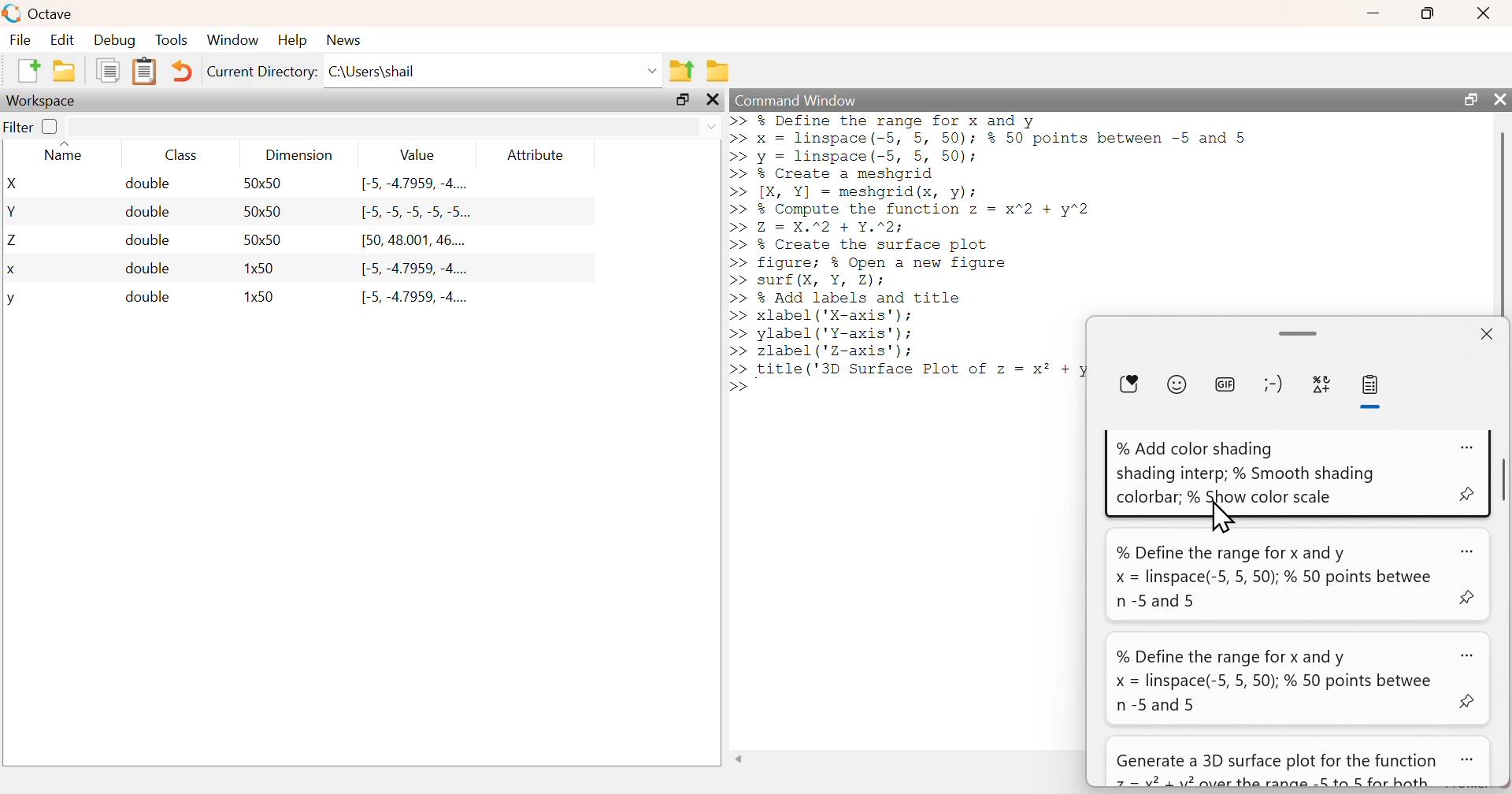 This screenshot has width=1512, height=794. Describe the element at coordinates (1503, 480) in the screenshot. I see `scroll bar` at that location.